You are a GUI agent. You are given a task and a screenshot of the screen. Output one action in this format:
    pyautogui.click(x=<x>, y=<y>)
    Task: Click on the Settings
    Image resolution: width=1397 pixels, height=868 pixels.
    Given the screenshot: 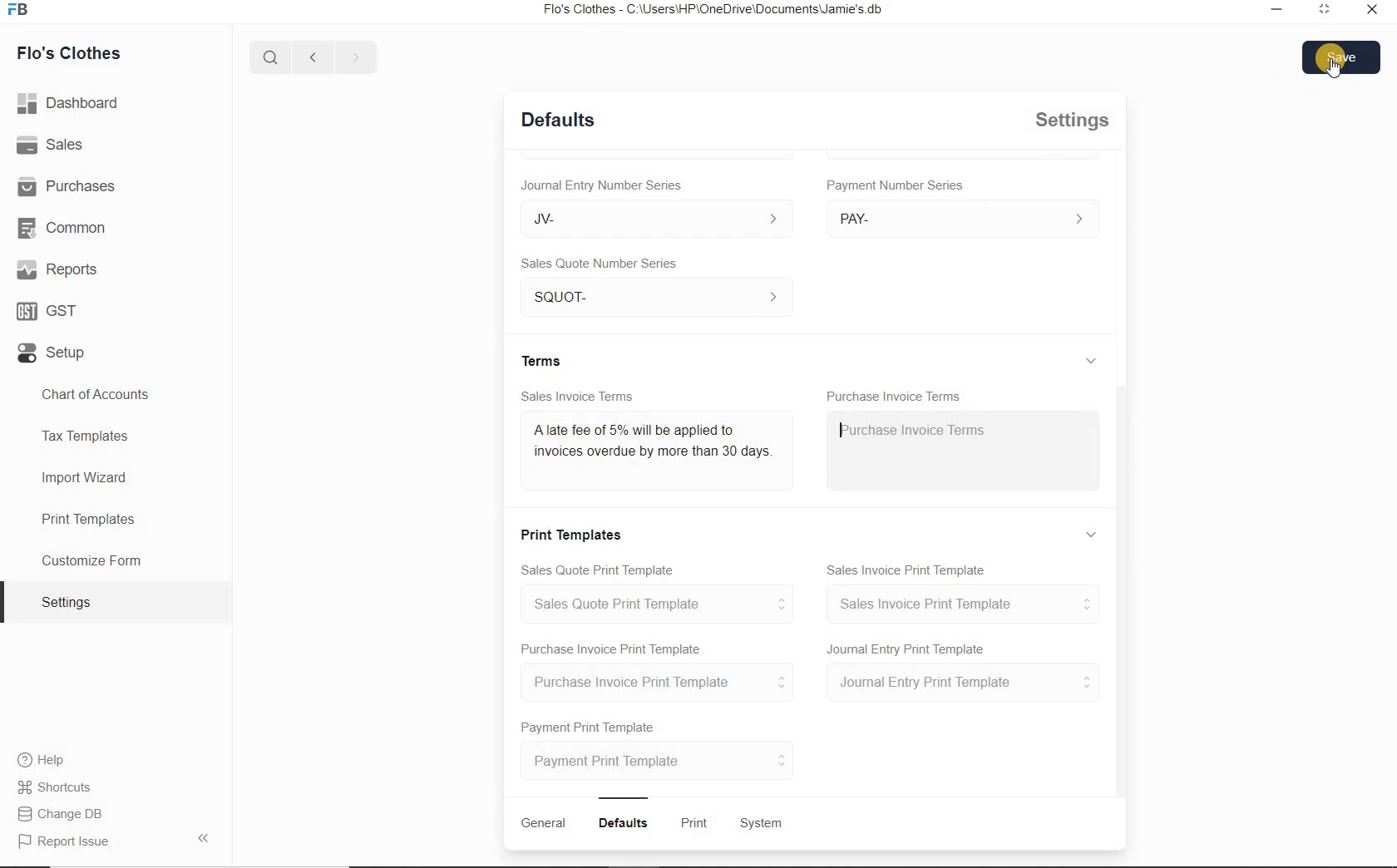 What is the action you would take?
    pyautogui.click(x=1074, y=120)
    